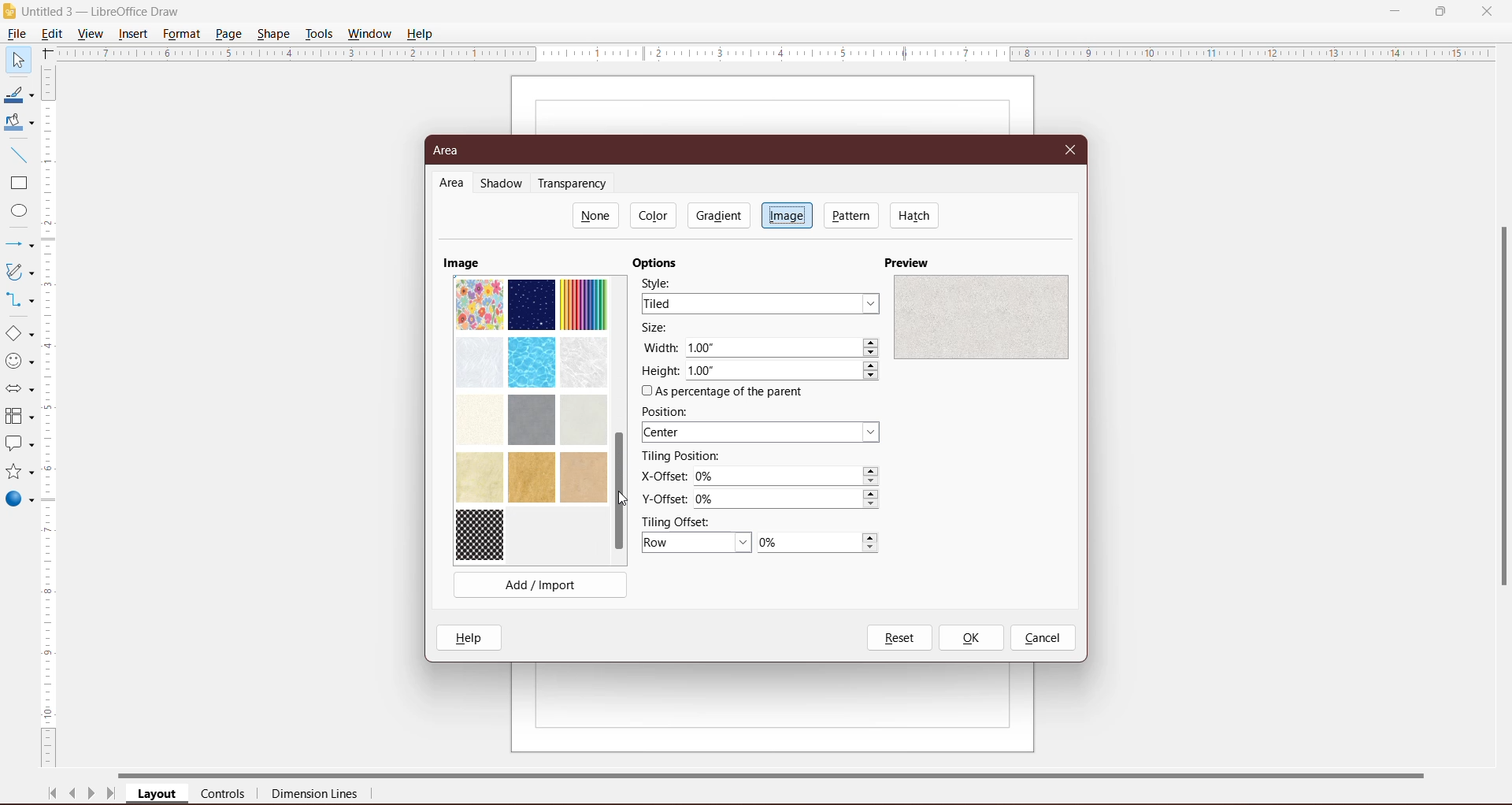 The image size is (1512, 805). Describe the element at coordinates (784, 372) in the screenshot. I see `Set required height` at that location.